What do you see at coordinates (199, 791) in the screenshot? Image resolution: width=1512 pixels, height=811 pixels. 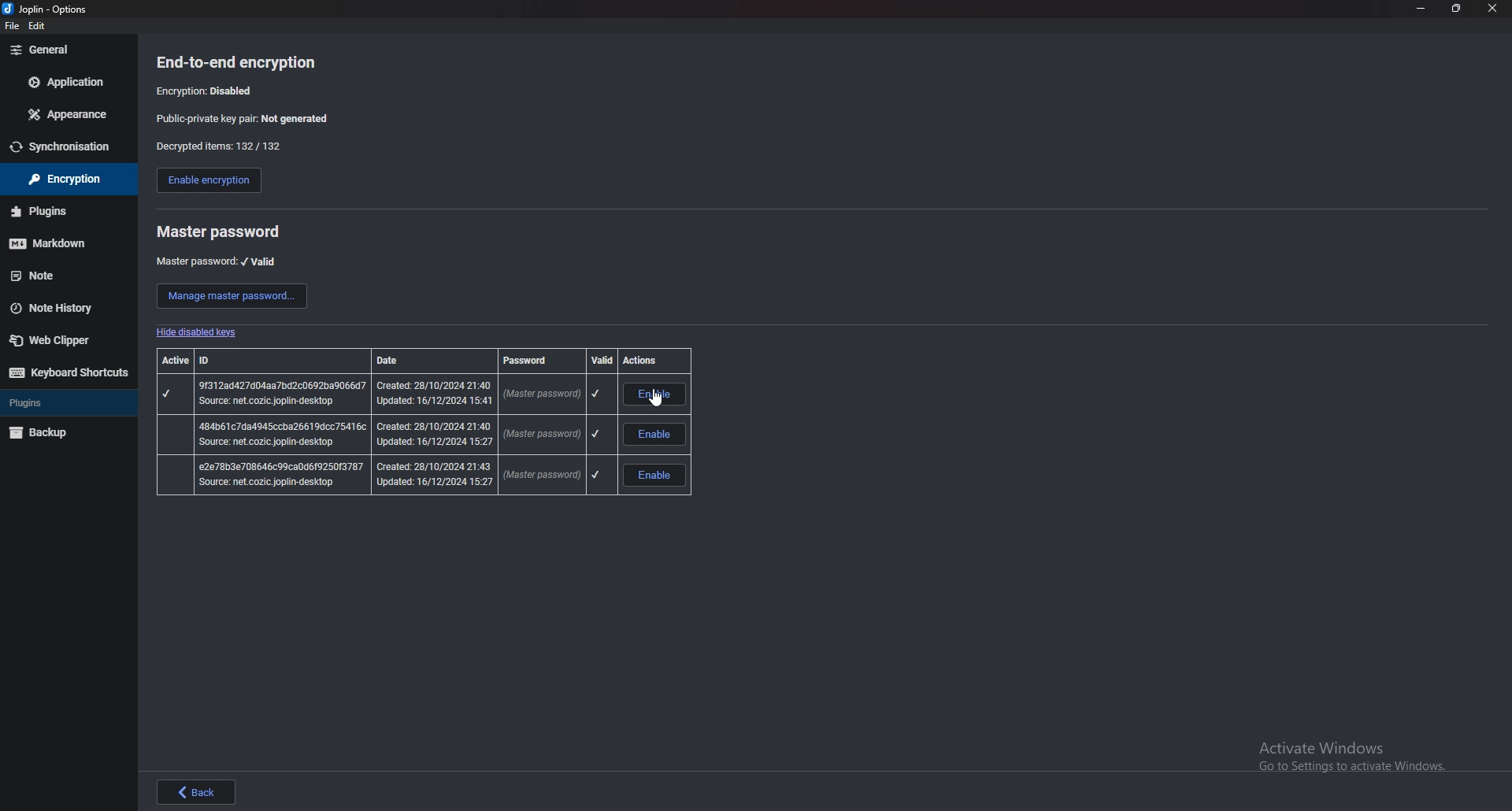 I see `back` at bounding box center [199, 791].